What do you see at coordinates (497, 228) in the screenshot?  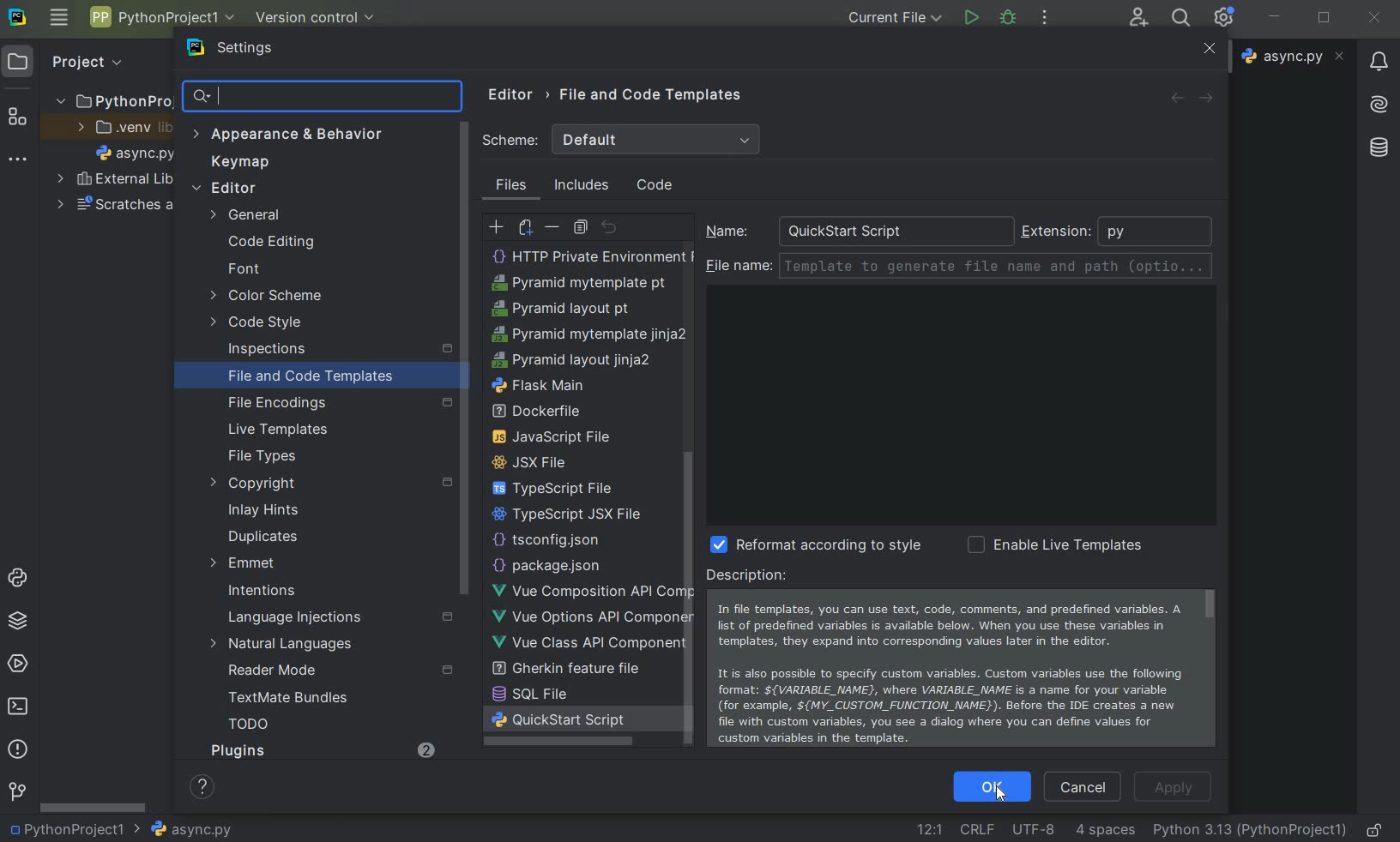 I see `create template` at bounding box center [497, 228].